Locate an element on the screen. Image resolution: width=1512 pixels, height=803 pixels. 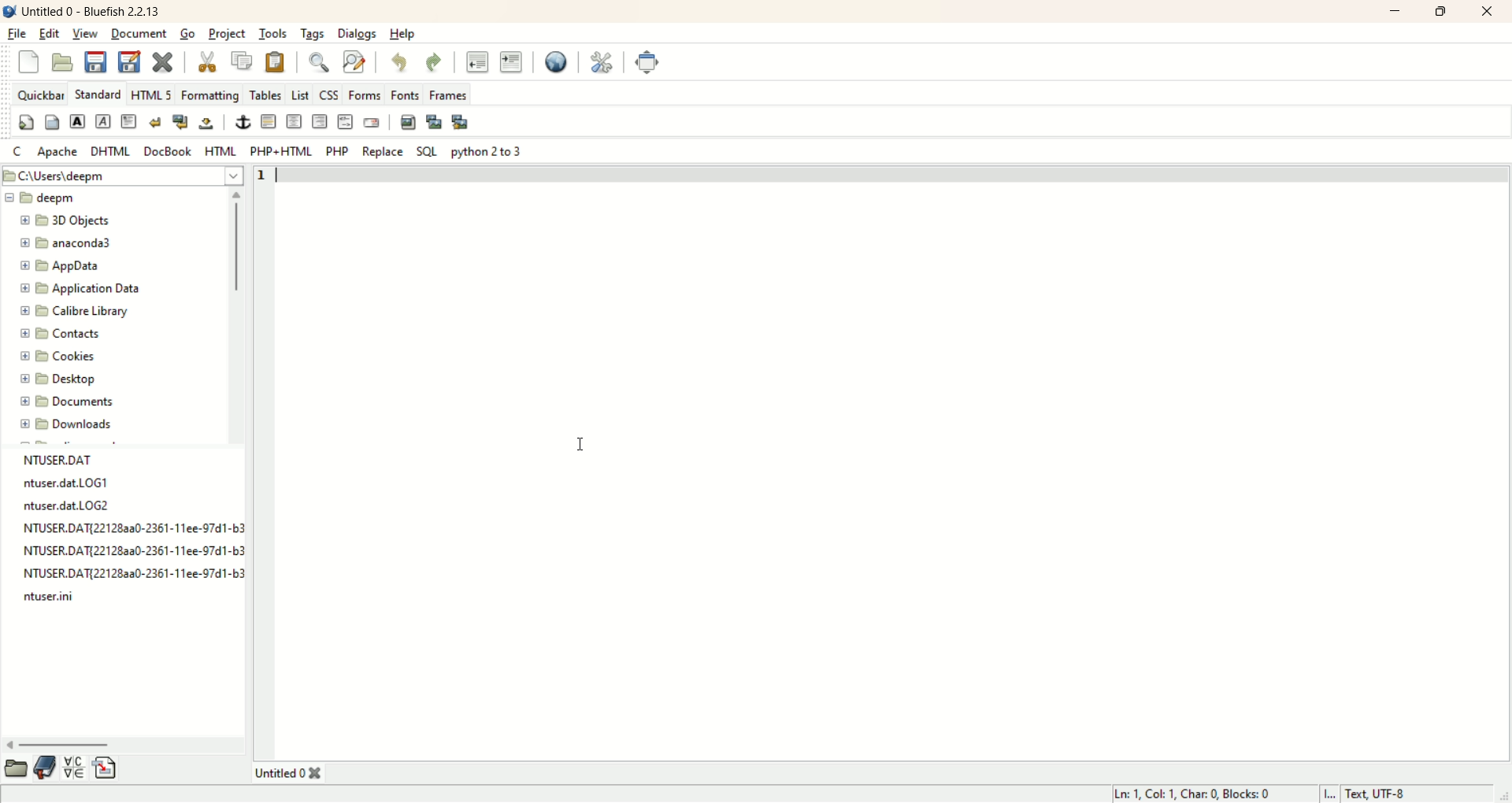
paragraph is located at coordinates (131, 122).